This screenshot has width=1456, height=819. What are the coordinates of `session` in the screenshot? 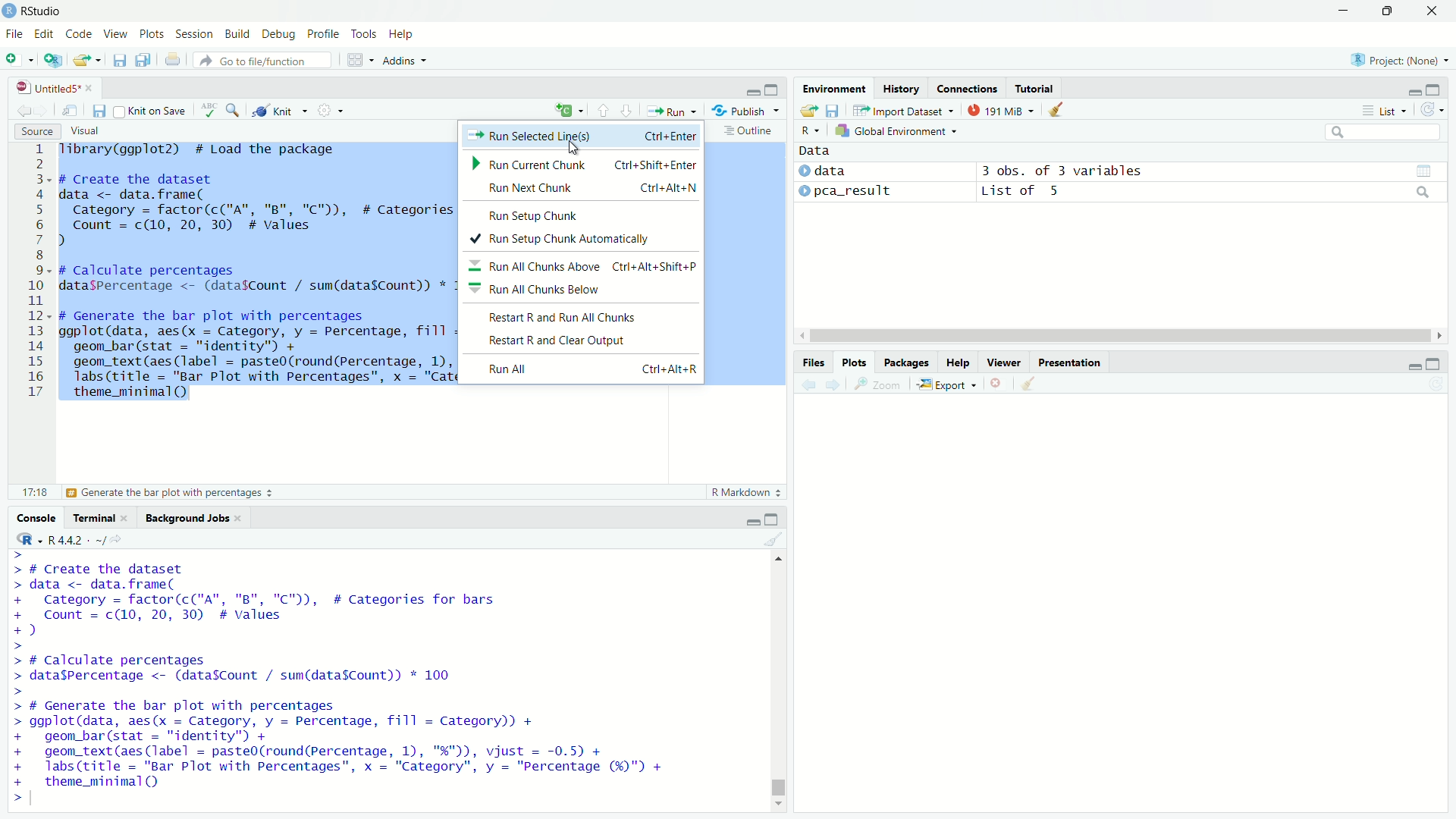 It's located at (197, 36).